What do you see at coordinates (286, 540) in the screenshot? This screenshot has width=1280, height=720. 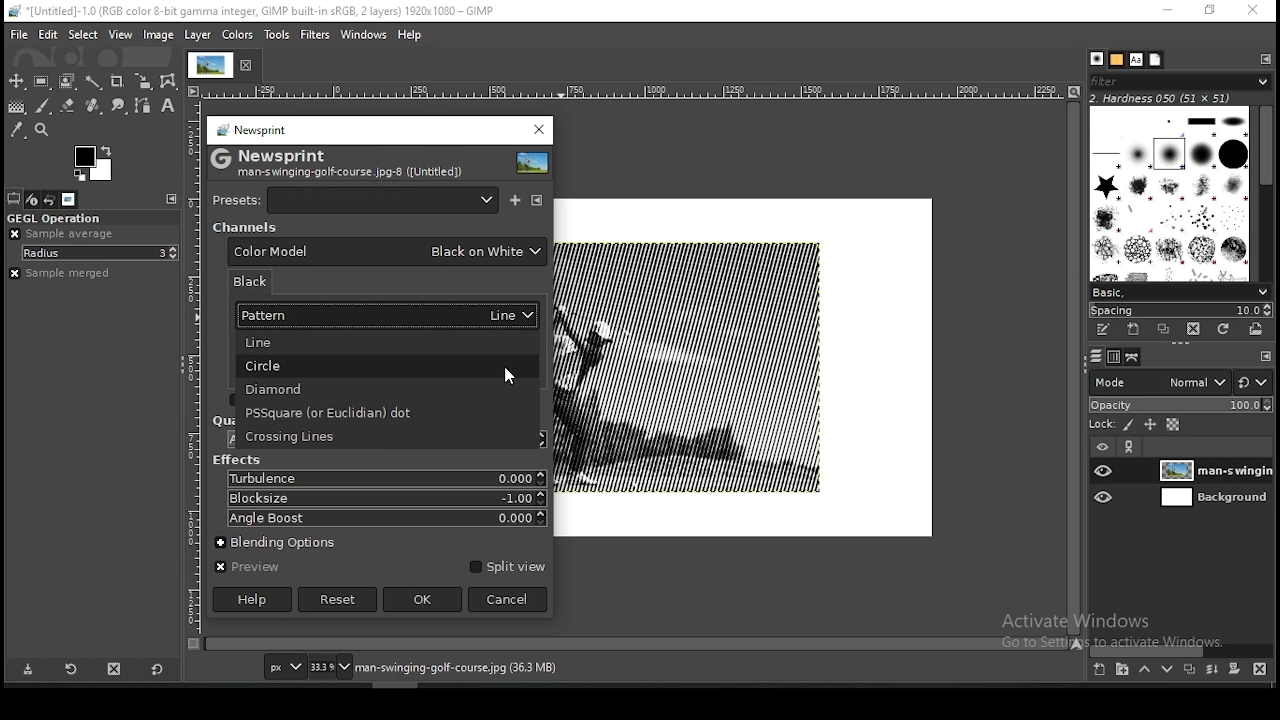 I see `blending options` at bounding box center [286, 540].